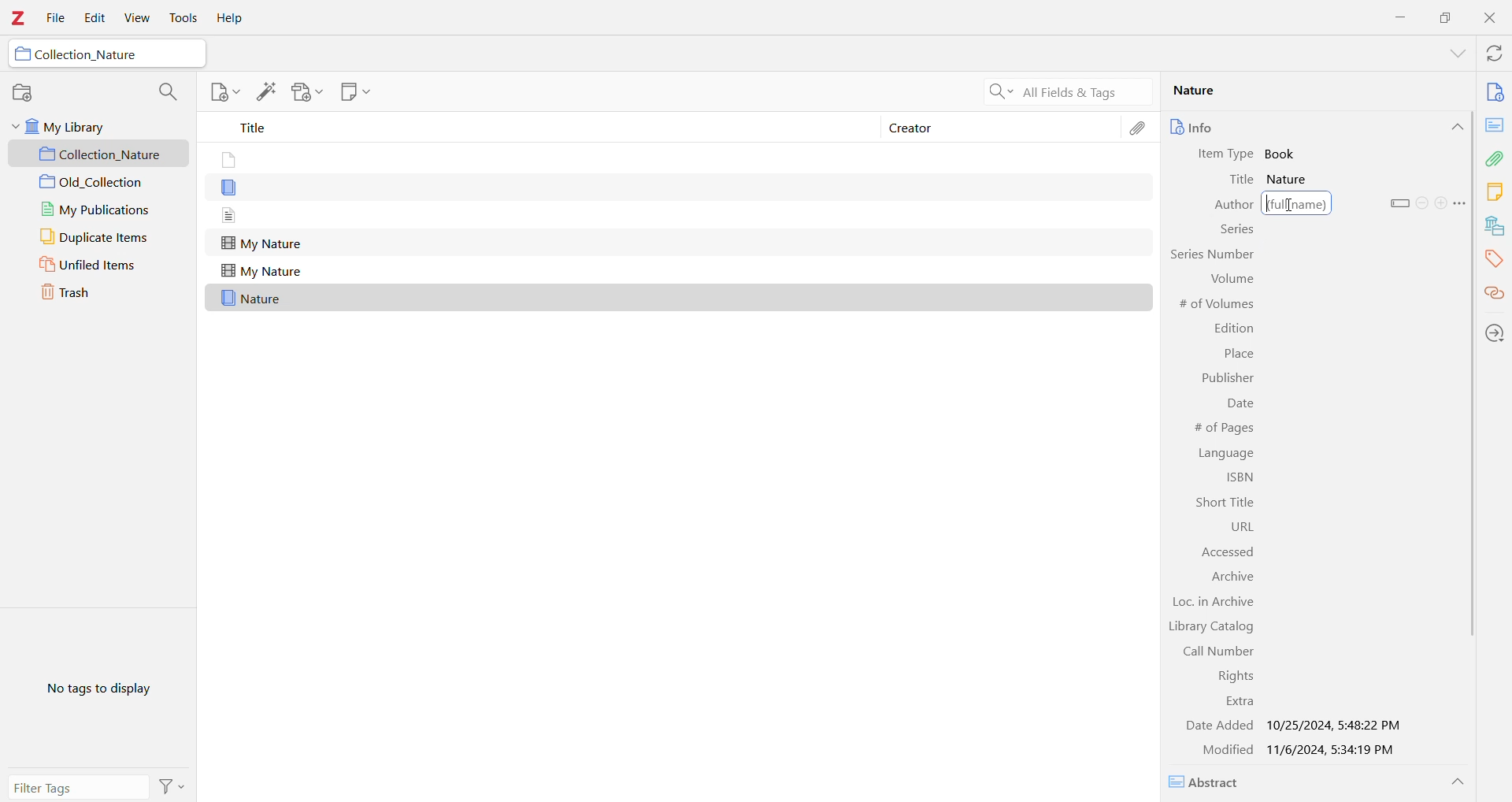  What do you see at coordinates (135, 18) in the screenshot?
I see `View` at bounding box center [135, 18].